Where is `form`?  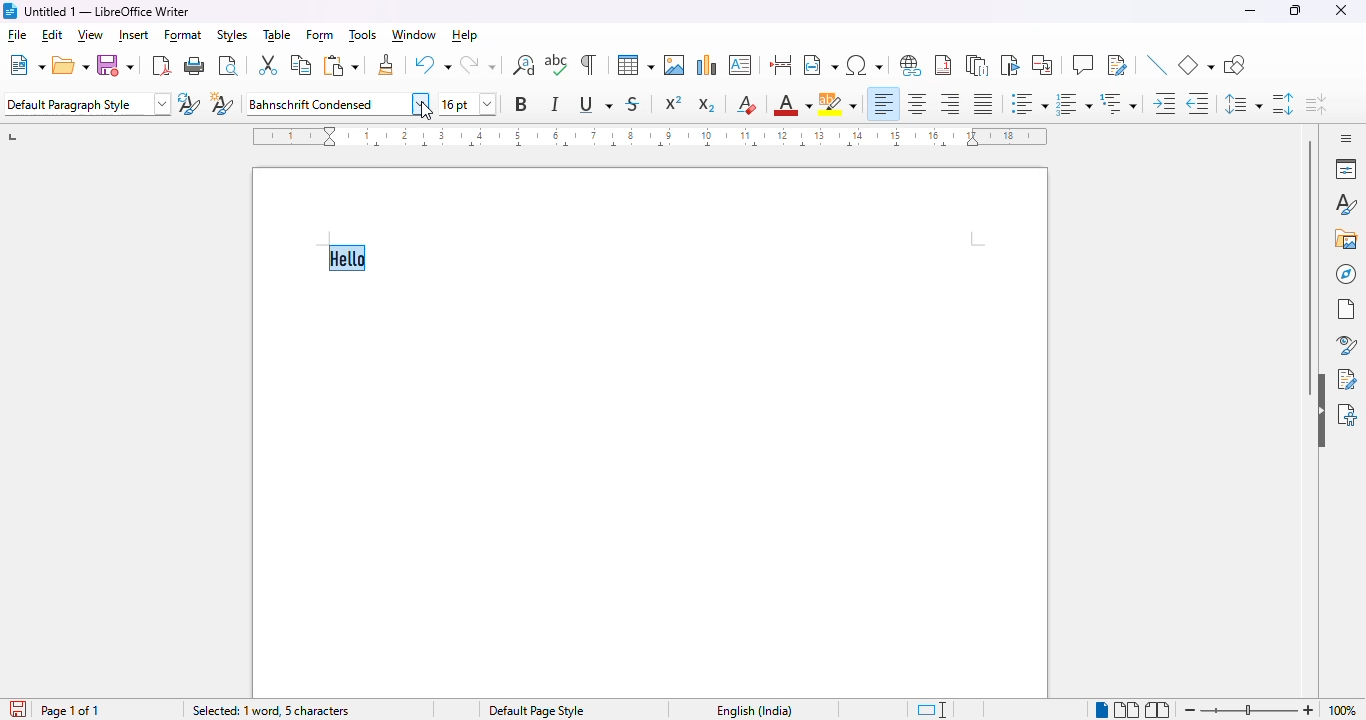 form is located at coordinates (321, 36).